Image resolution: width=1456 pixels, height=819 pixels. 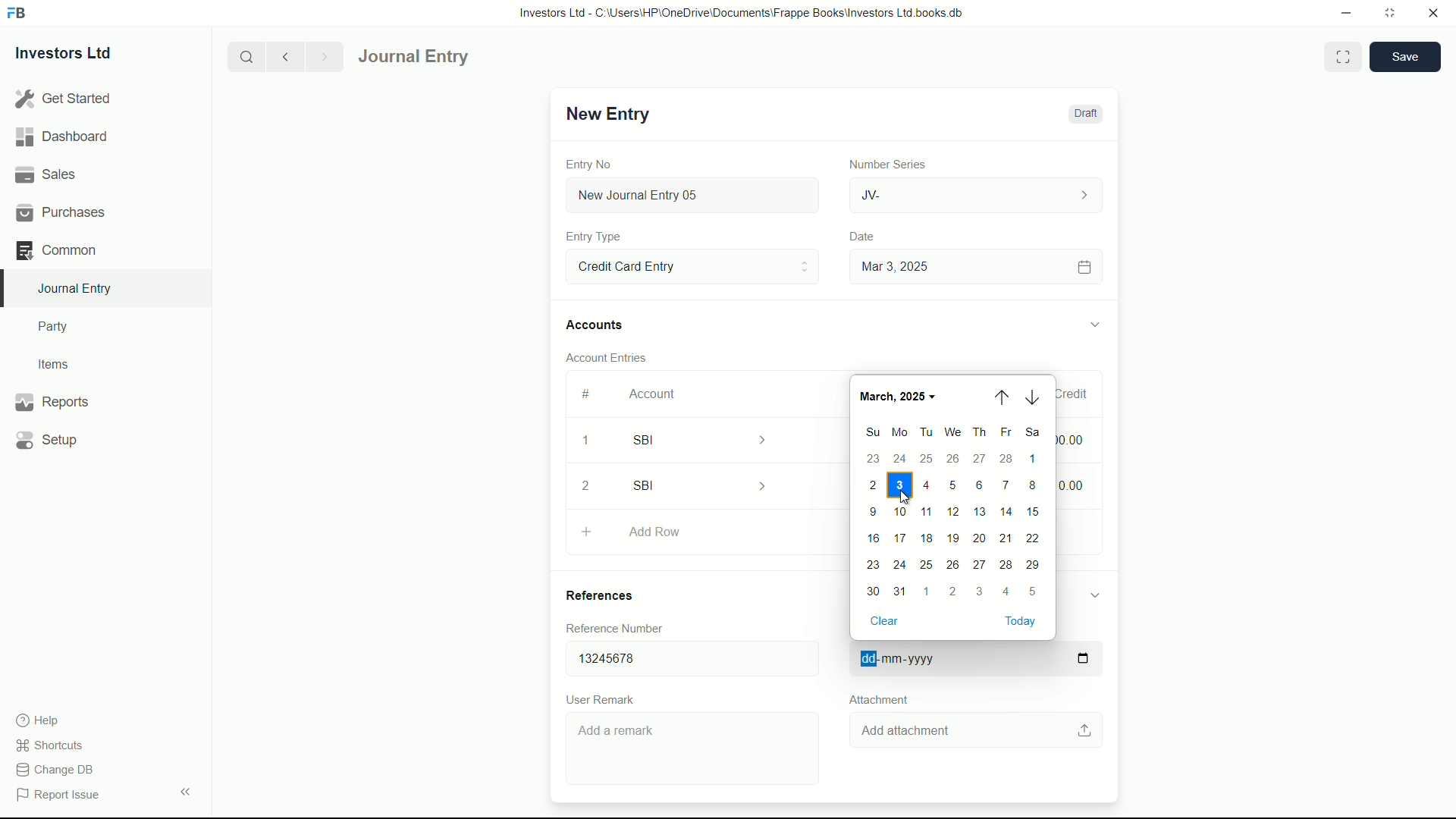 What do you see at coordinates (1094, 322) in the screenshot?
I see `expand/collapse` at bounding box center [1094, 322].